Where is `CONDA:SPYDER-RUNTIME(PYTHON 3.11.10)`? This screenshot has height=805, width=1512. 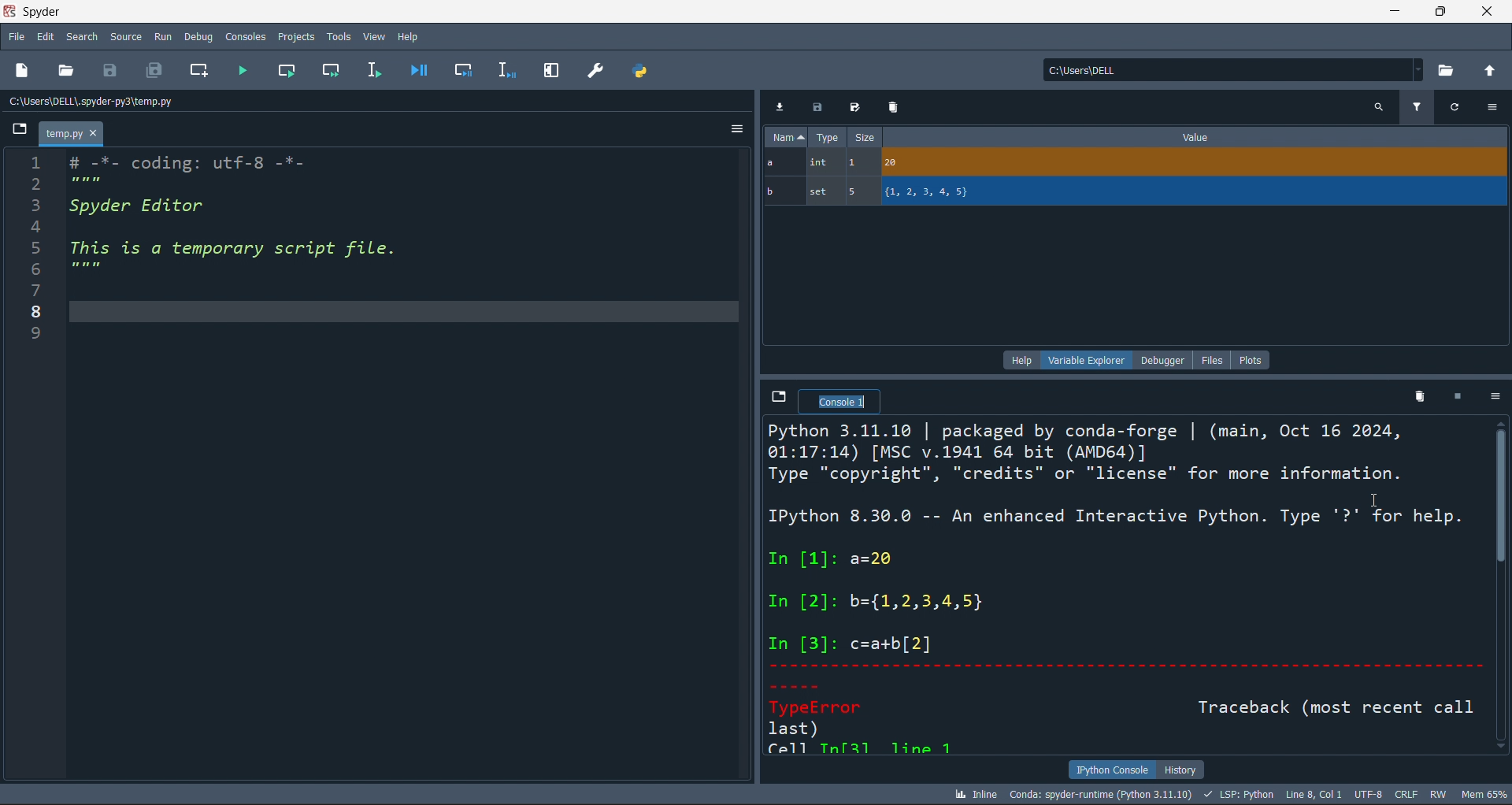 CONDA:SPYDER-RUNTIME(PYTHON 3.11.10) is located at coordinates (1099, 793).